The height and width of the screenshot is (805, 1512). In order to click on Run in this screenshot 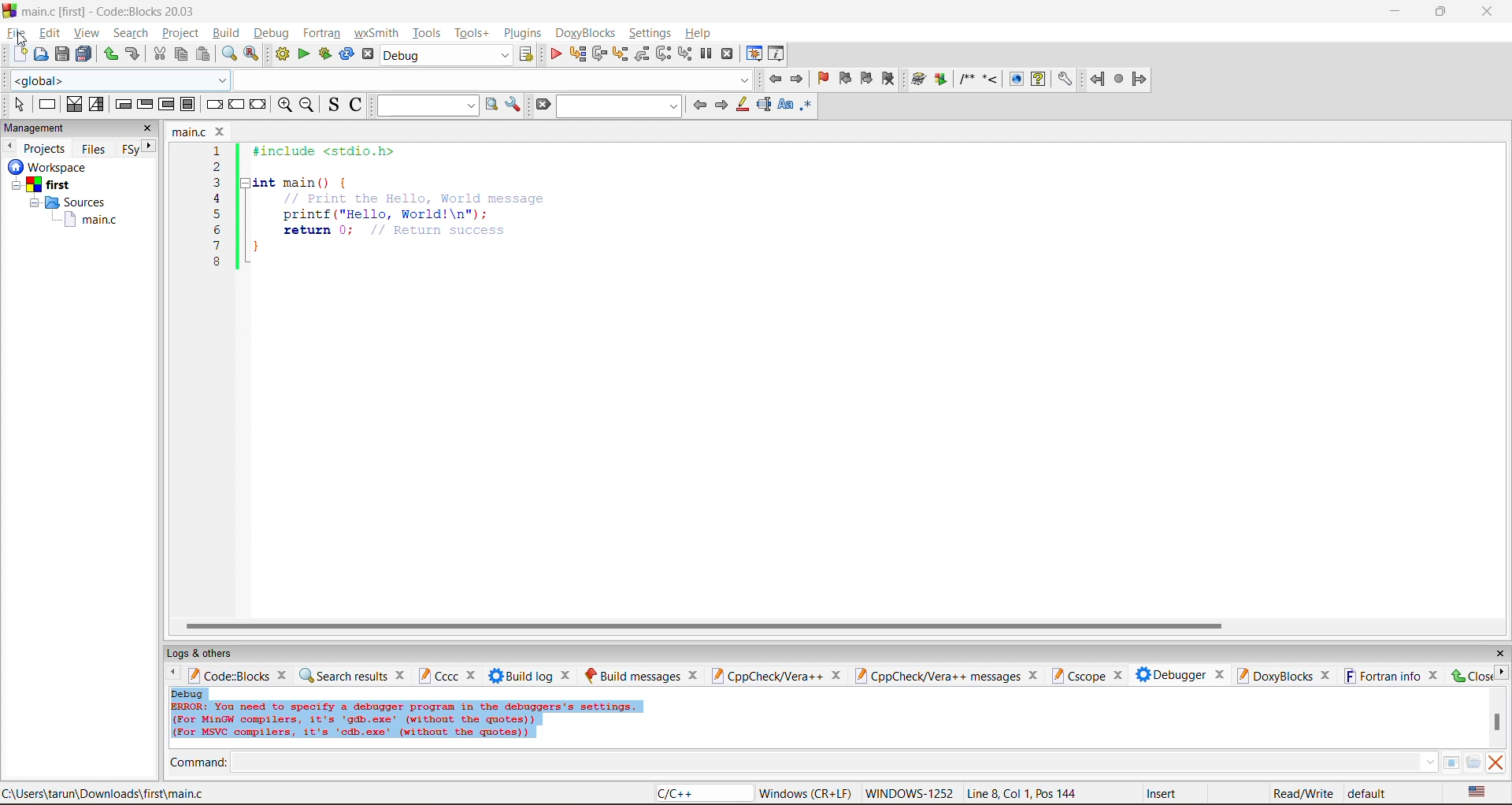, I will do `click(941, 79)`.